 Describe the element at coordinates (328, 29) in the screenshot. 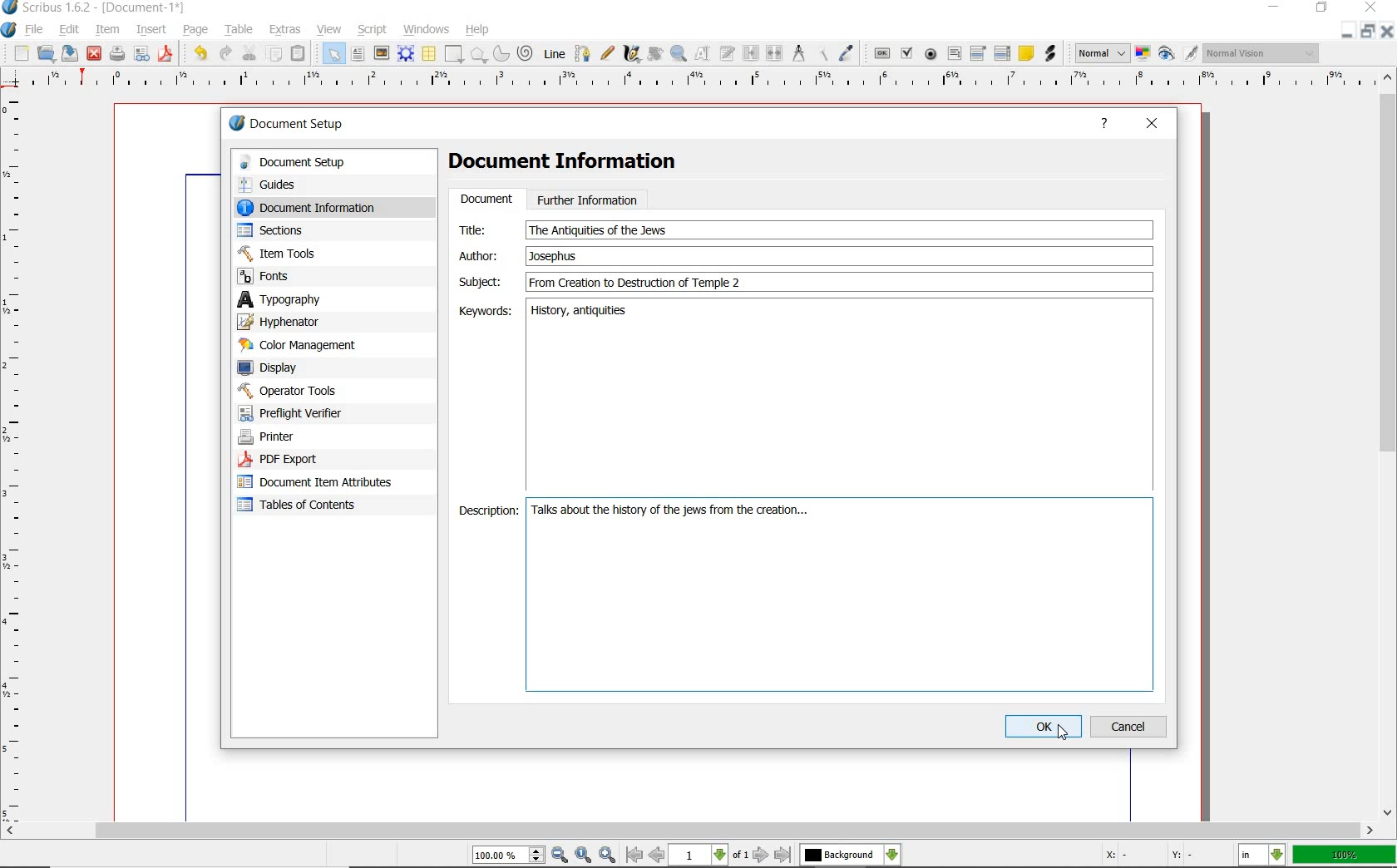

I see `view` at that location.